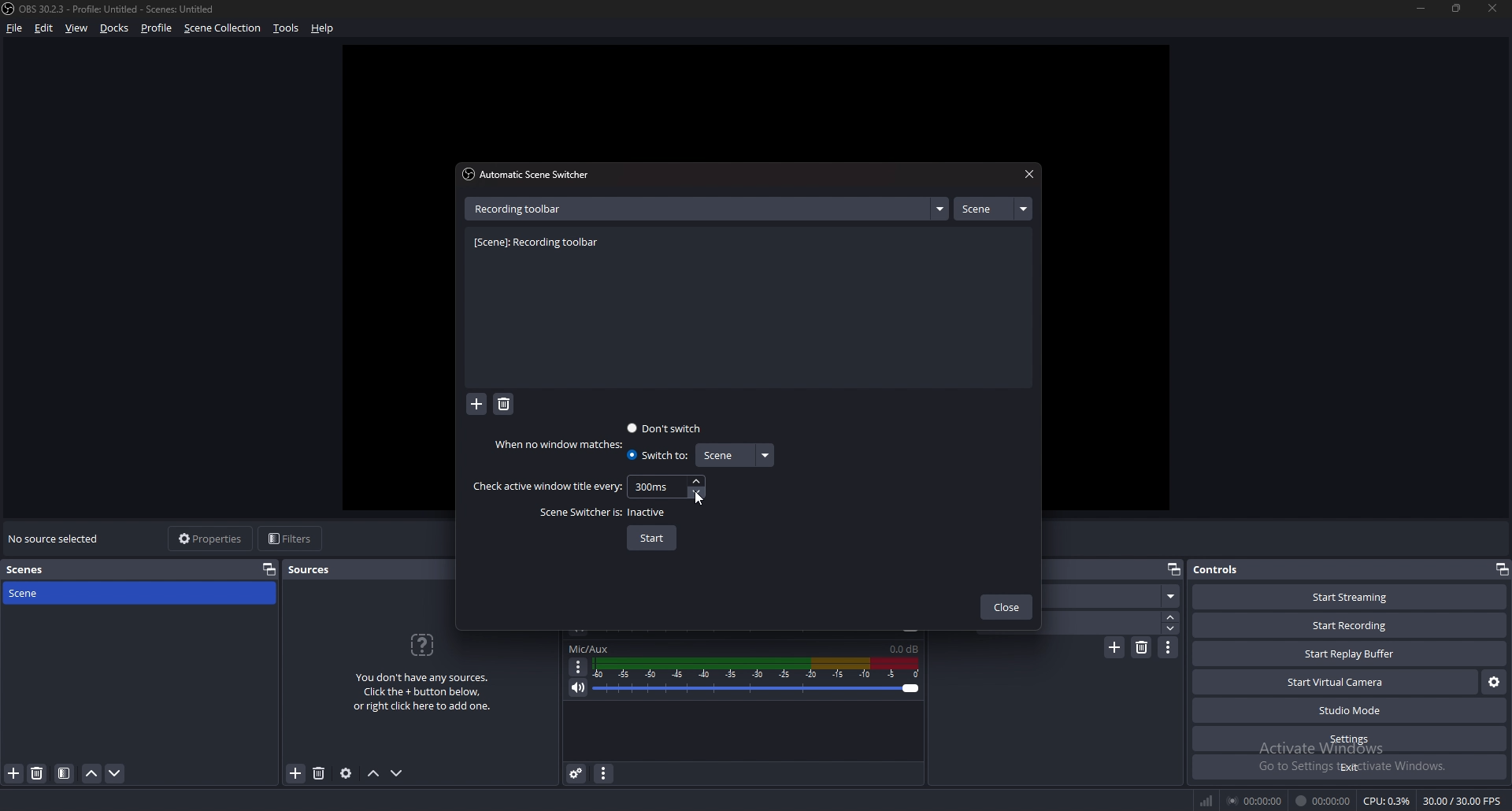 Image resolution: width=1512 pixels, height=811 pixels. What do you see at coordinates (576, 772) in the screenshot?
I see `advanced audio properties` at bounding box center [576, 772].